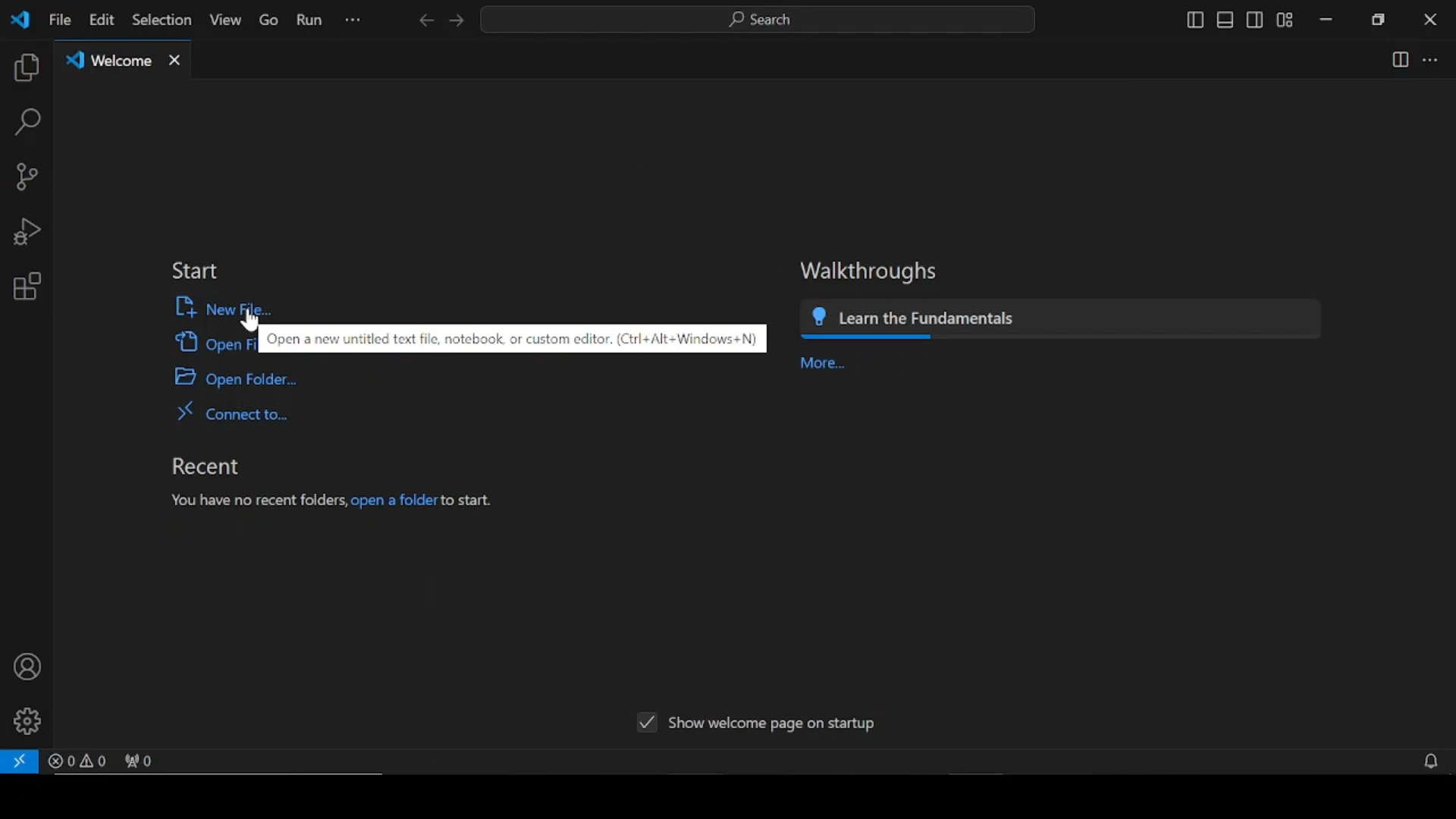 This screenshot has width=1456, height=819. What do you see at coordinates (58, 19) in the screenshot?
I see `file` at bounding box center [58, 19].